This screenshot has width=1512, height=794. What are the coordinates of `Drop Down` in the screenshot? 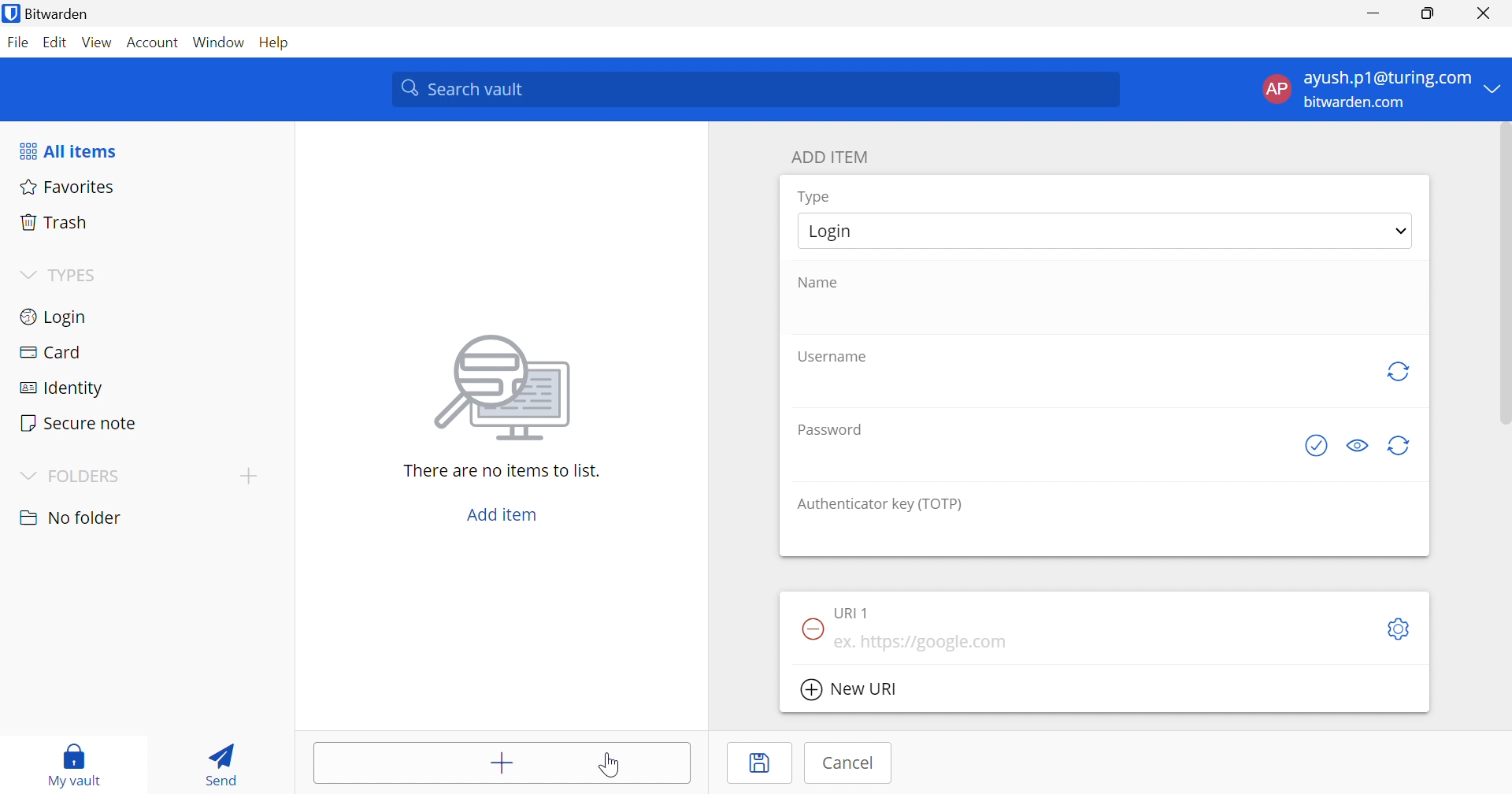 It's located at (1402, 231).